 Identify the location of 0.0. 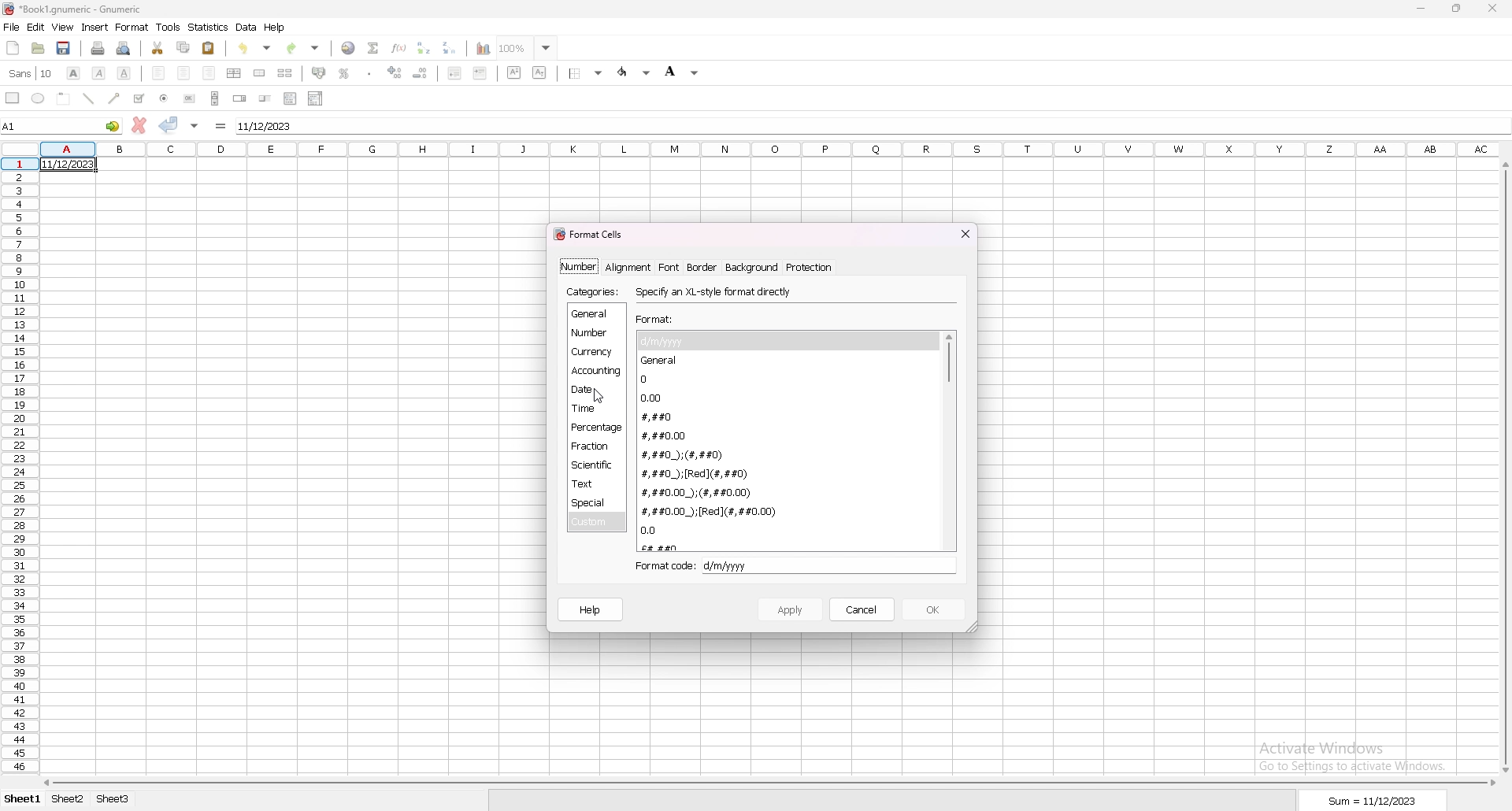
(654, 530).